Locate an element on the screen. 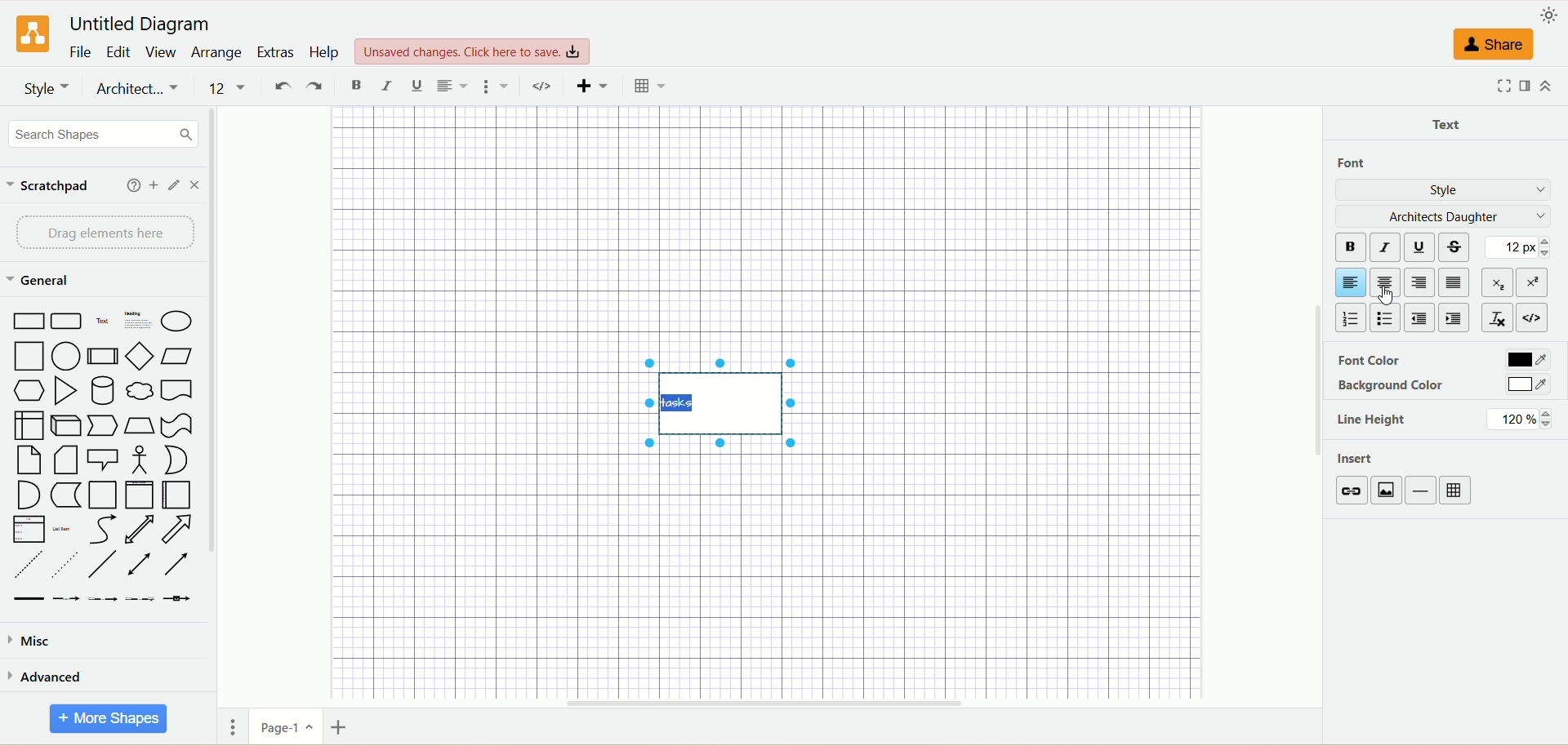 Image resolution: width=1568 pixels, height=746 pixels. Scripts is located at coordinates (546, 87).